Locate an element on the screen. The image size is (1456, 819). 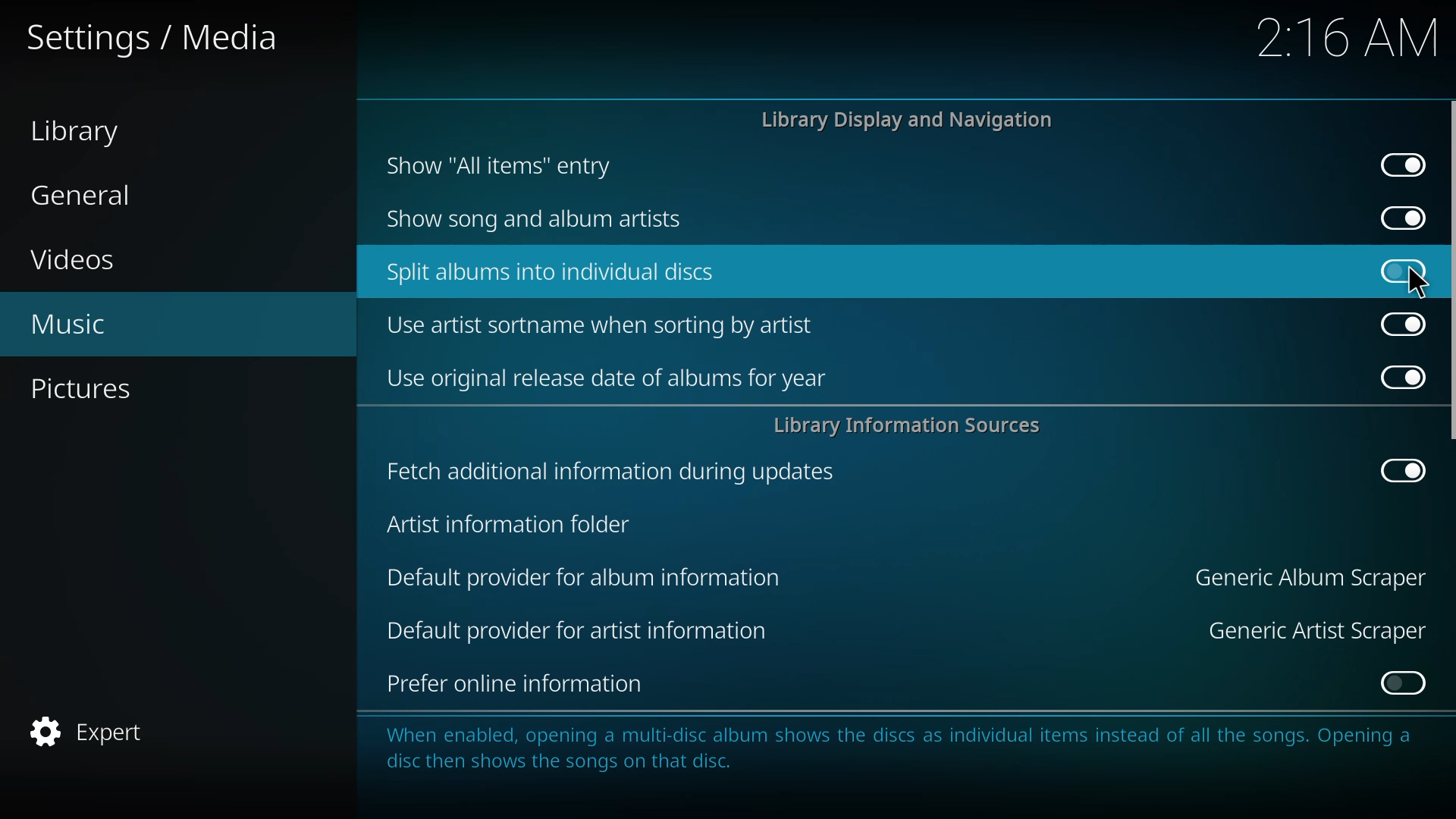
enabled is located at coordinates (1398, 218).